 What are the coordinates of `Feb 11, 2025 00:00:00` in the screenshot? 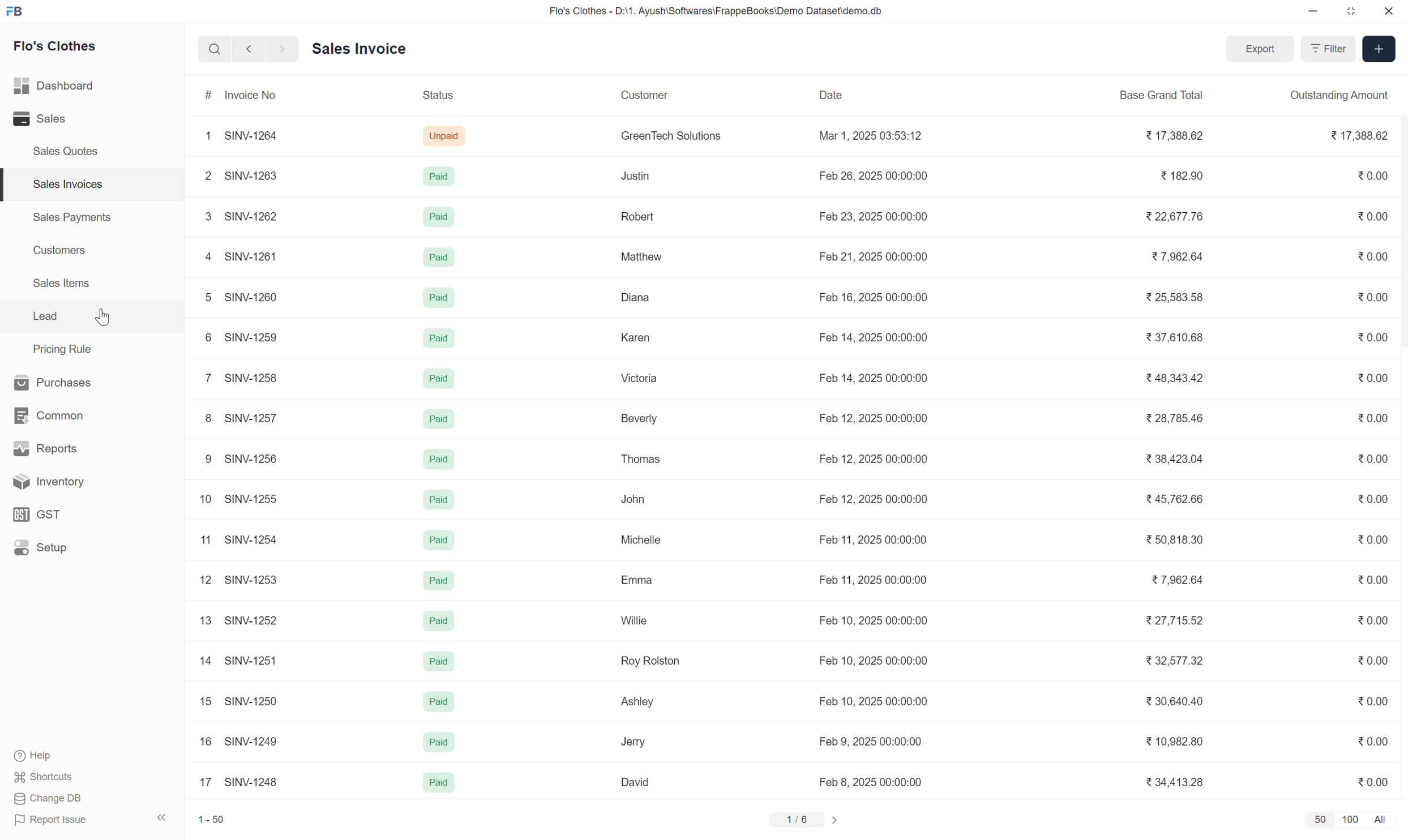 It's located at (861, 580).